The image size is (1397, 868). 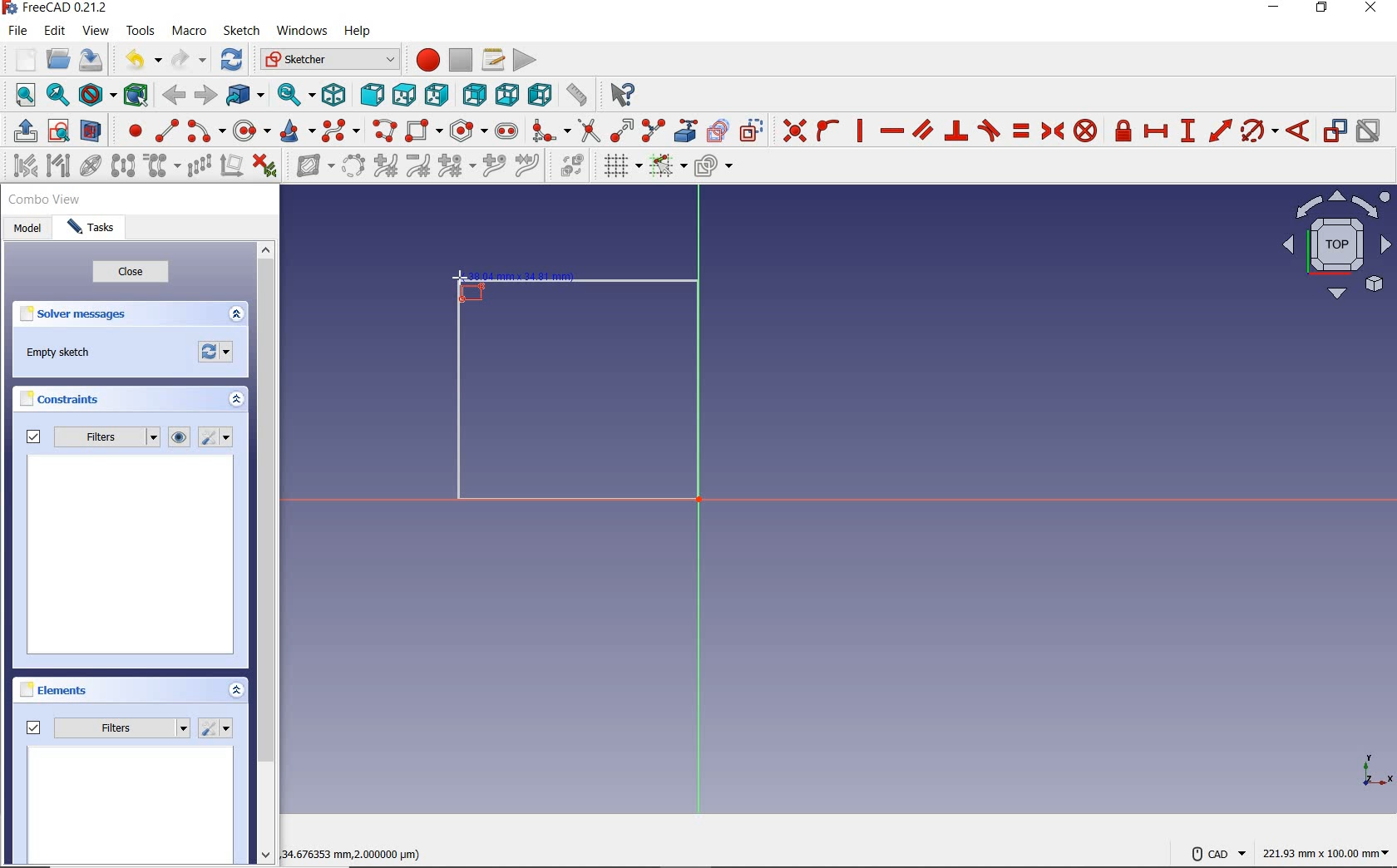 What do you see at coordinates (466, 131) in the screenshot?
I see `create regular polygon` at bounding box center [466, 131].